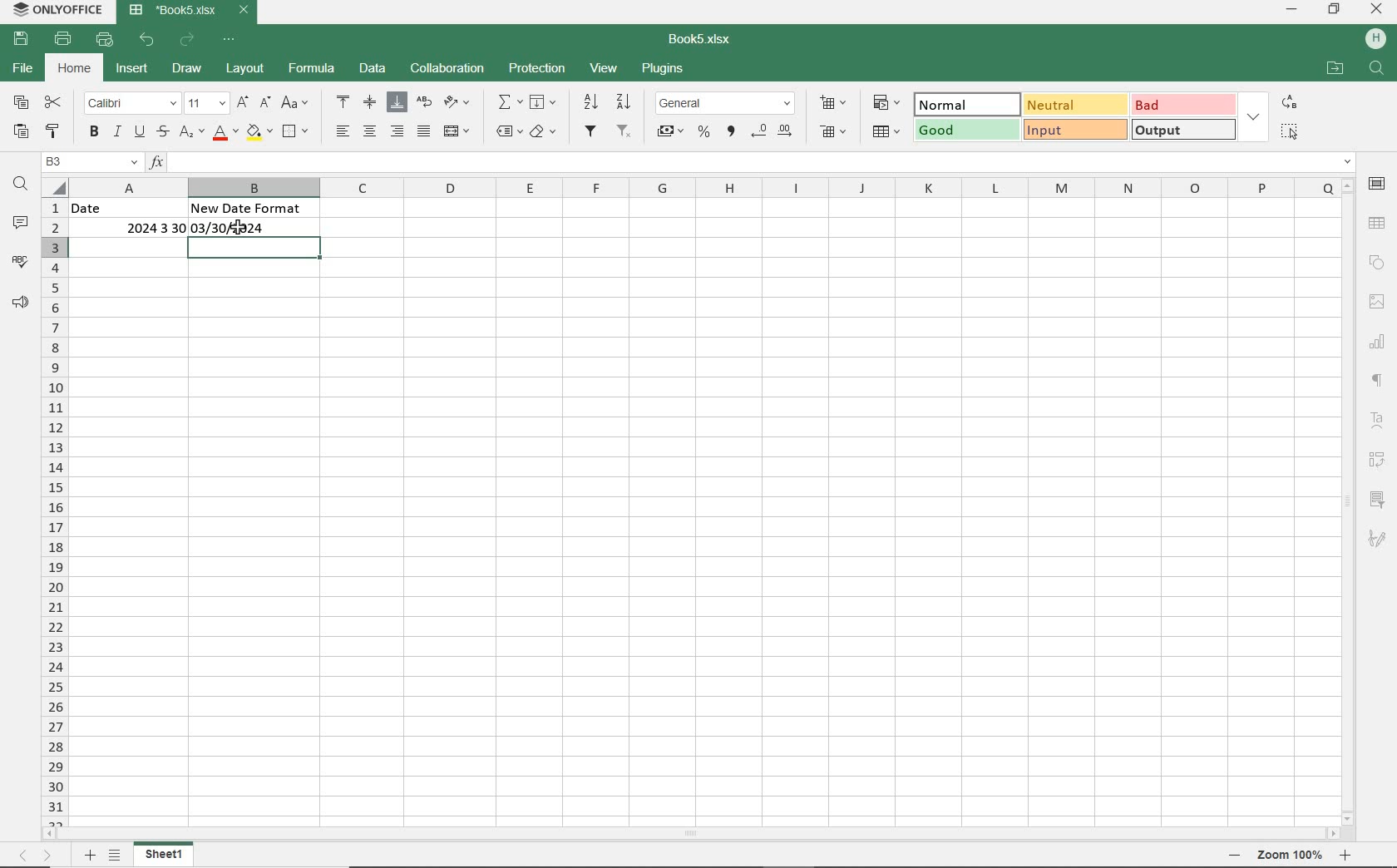  Describe the element at coordinates (700, 40) in the screenshot. I see `DOCUMENT NAME` at that location.